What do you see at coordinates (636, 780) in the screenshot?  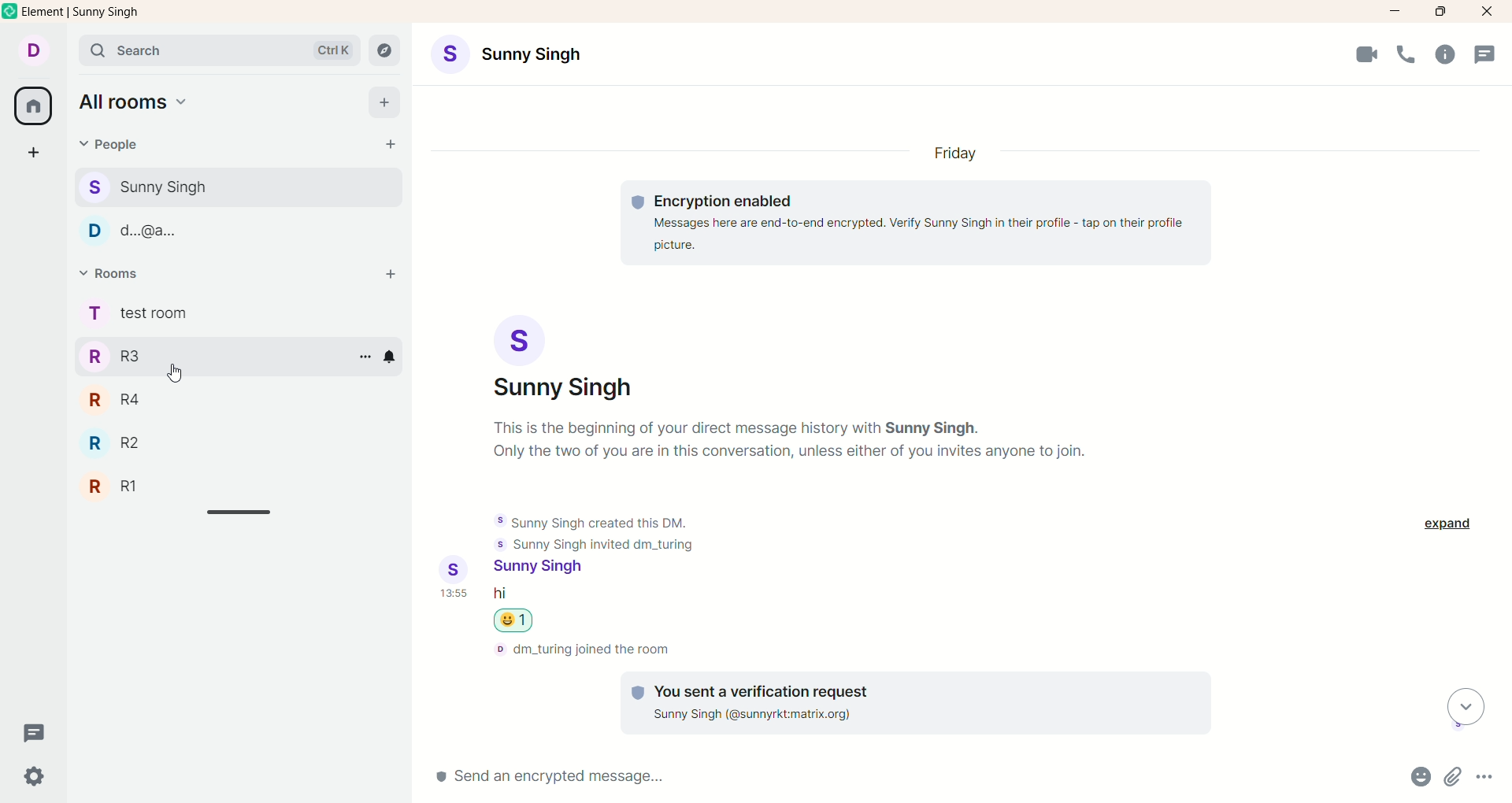 I see `send message` at bounding box center [636, 780].